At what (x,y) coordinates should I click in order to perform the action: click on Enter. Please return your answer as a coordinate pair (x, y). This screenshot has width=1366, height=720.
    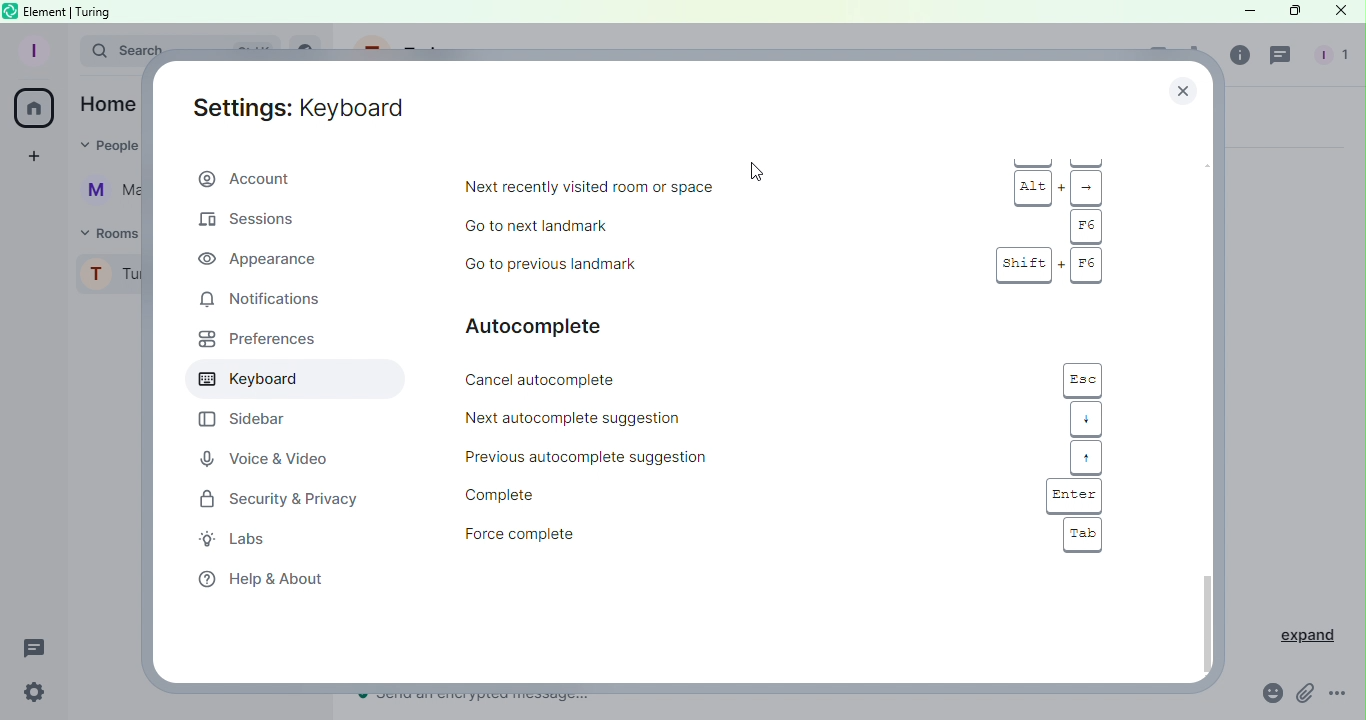
    Looking at the image, I should click on (1074, 495).